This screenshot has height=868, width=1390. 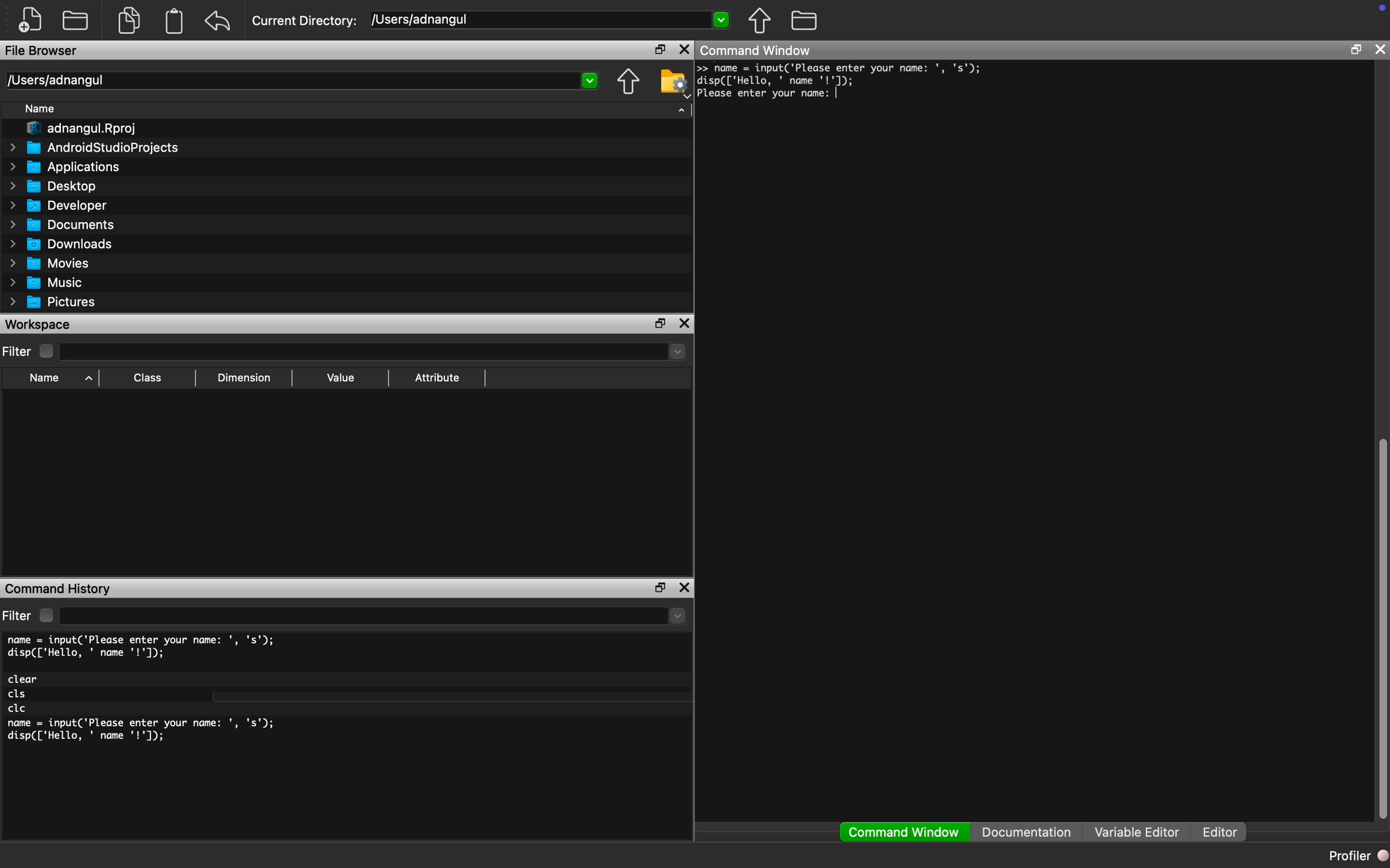 What do you see at coordinates (1357, 855) in the screenshot?
I see `Profiler` at bounding box center [1357, 855].